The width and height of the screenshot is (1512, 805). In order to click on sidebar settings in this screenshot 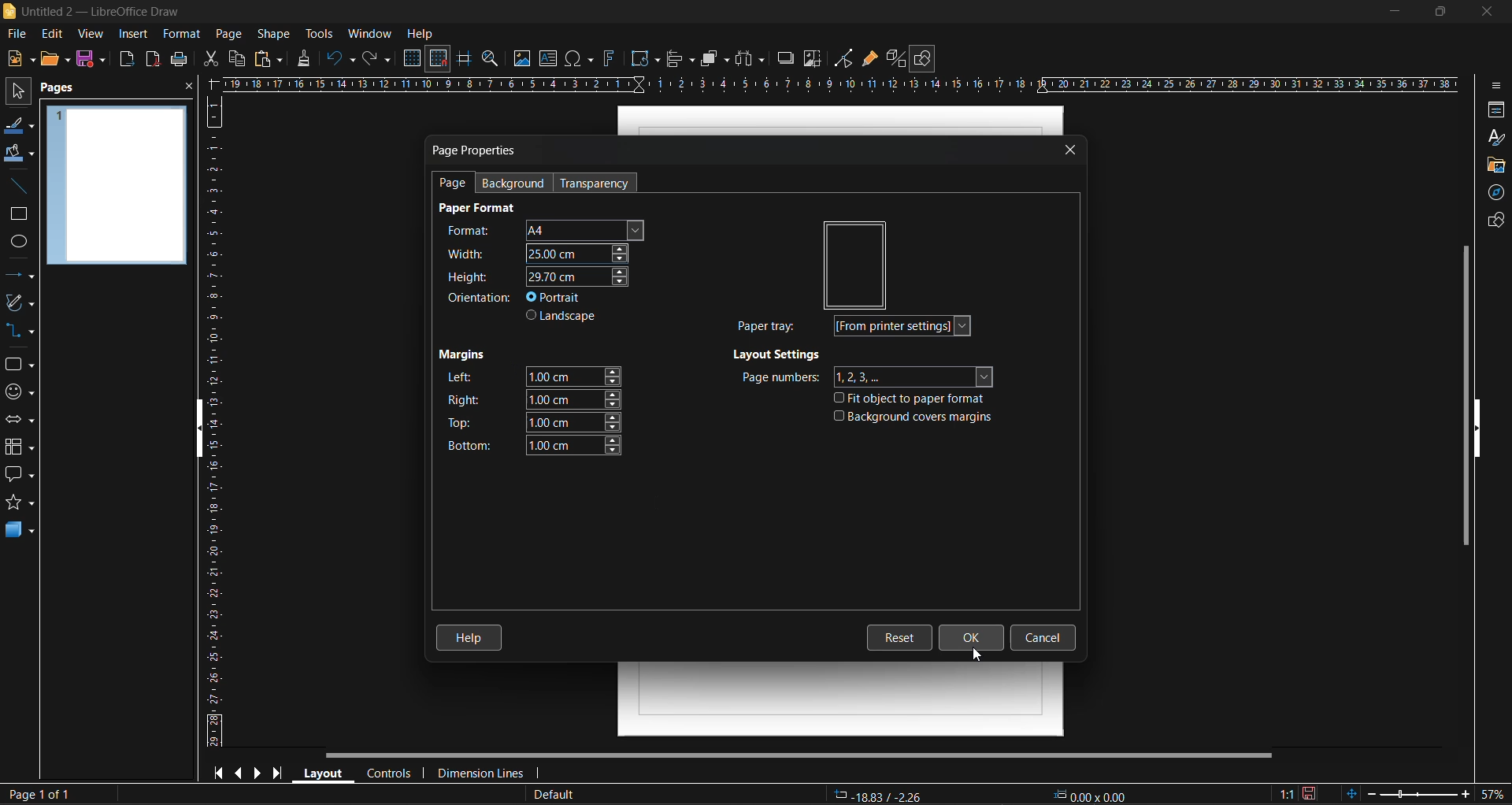, I will do `click(1499, 86)`.